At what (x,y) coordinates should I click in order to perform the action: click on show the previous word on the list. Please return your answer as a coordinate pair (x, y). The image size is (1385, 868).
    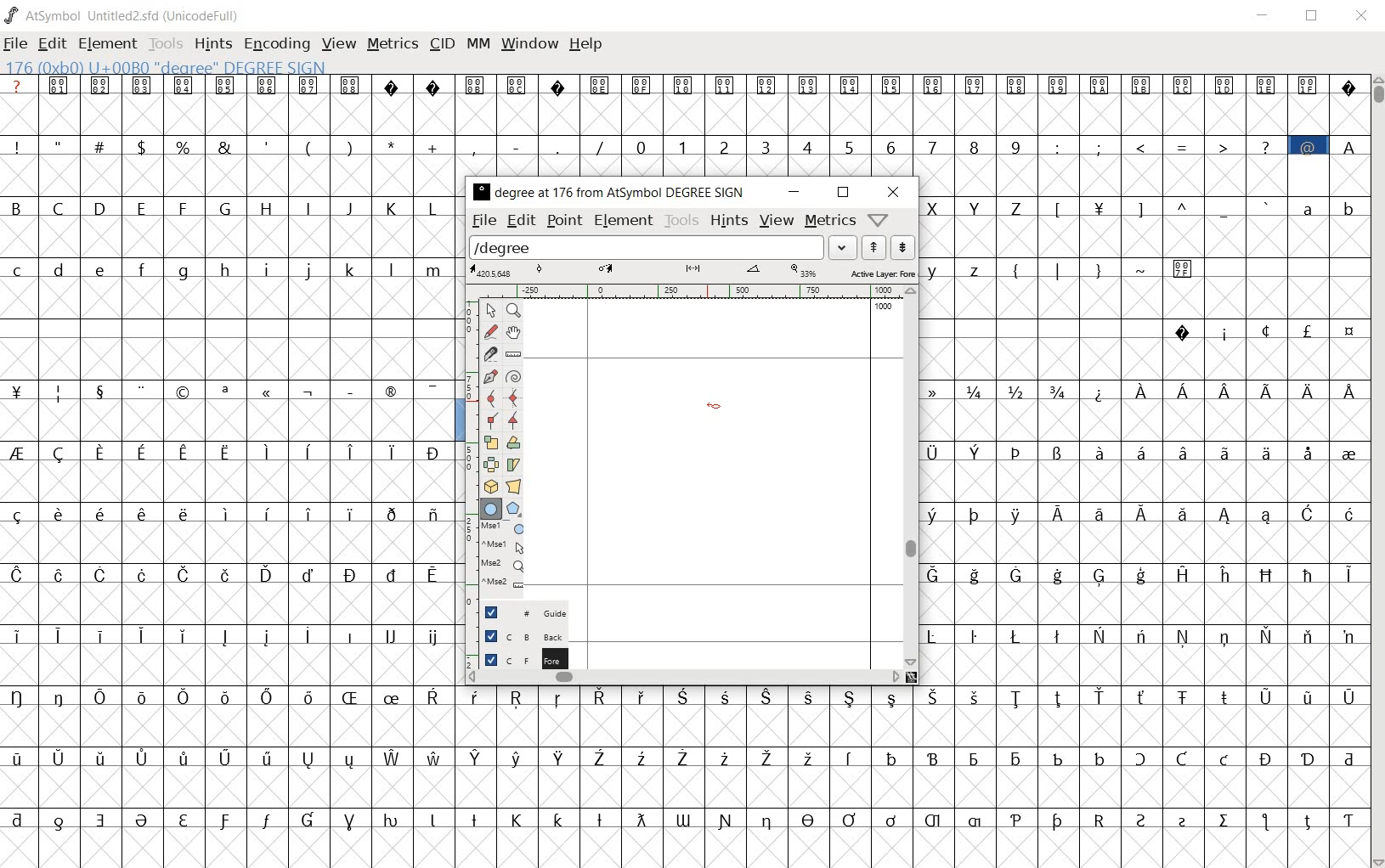
    Looking at the image, I should click on (902, 247).